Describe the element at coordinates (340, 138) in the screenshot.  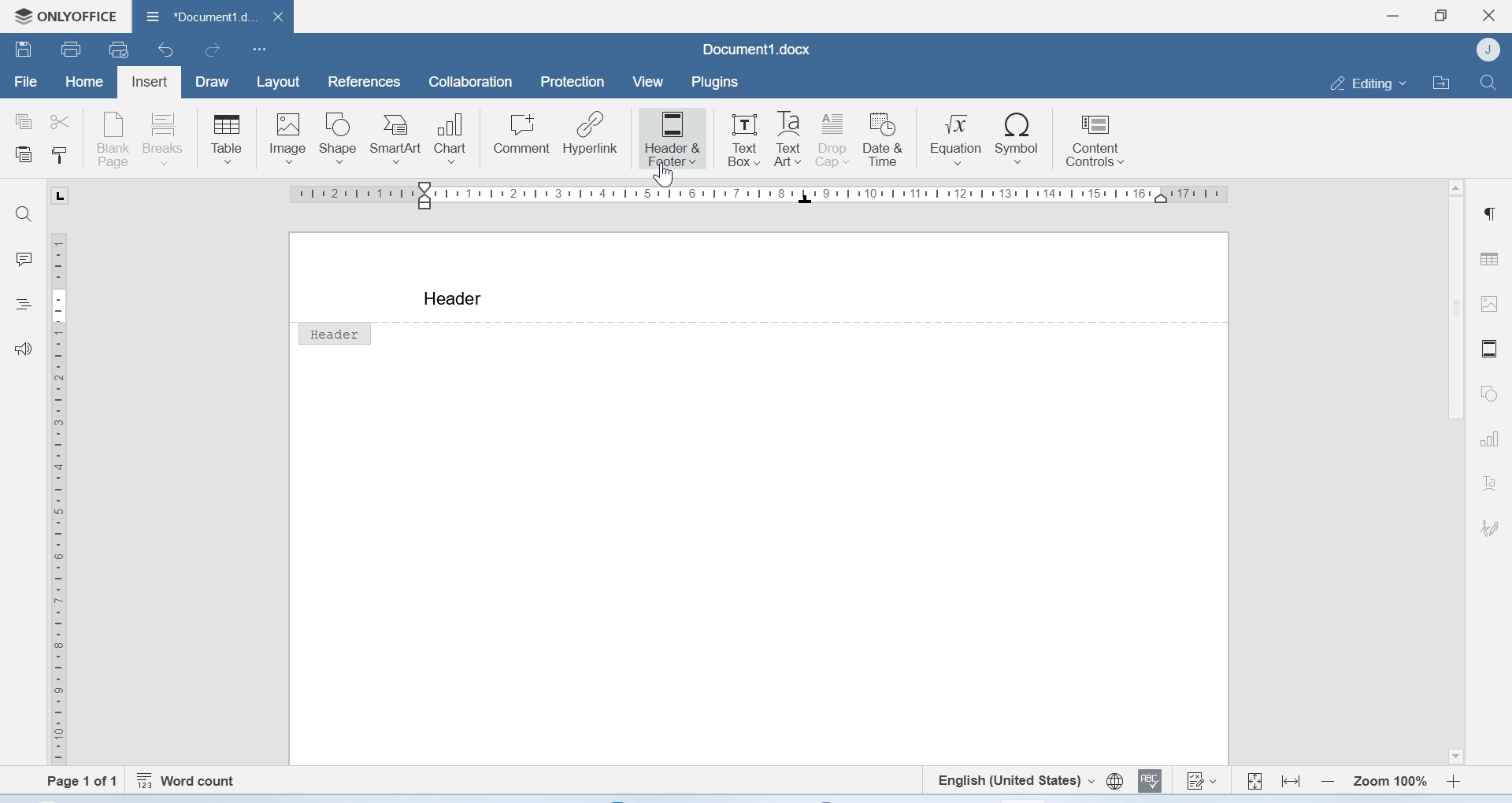
I see `Shape` at that location.